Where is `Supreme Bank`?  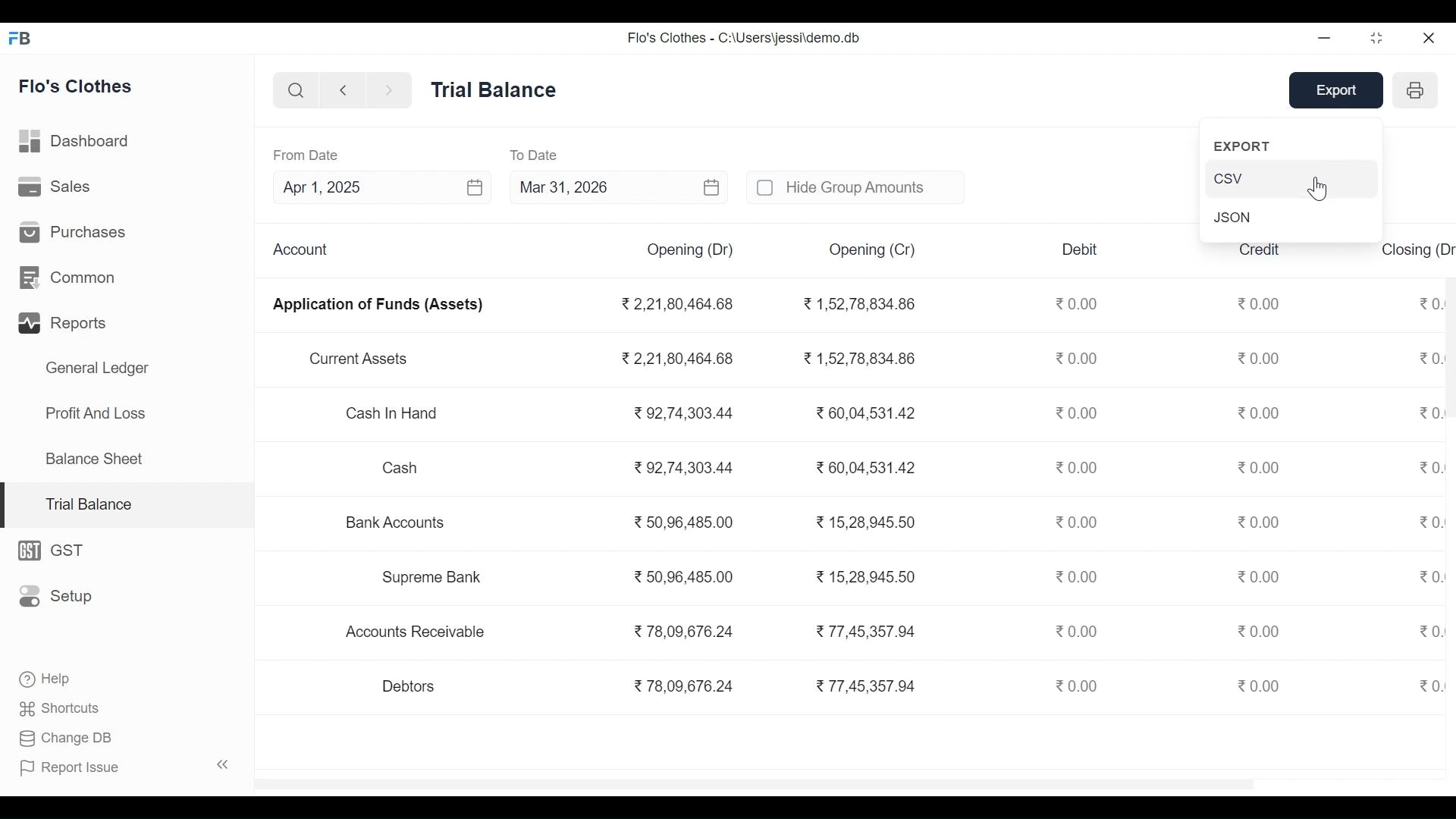
Supreme Bank is located at coordinates (438, 577).